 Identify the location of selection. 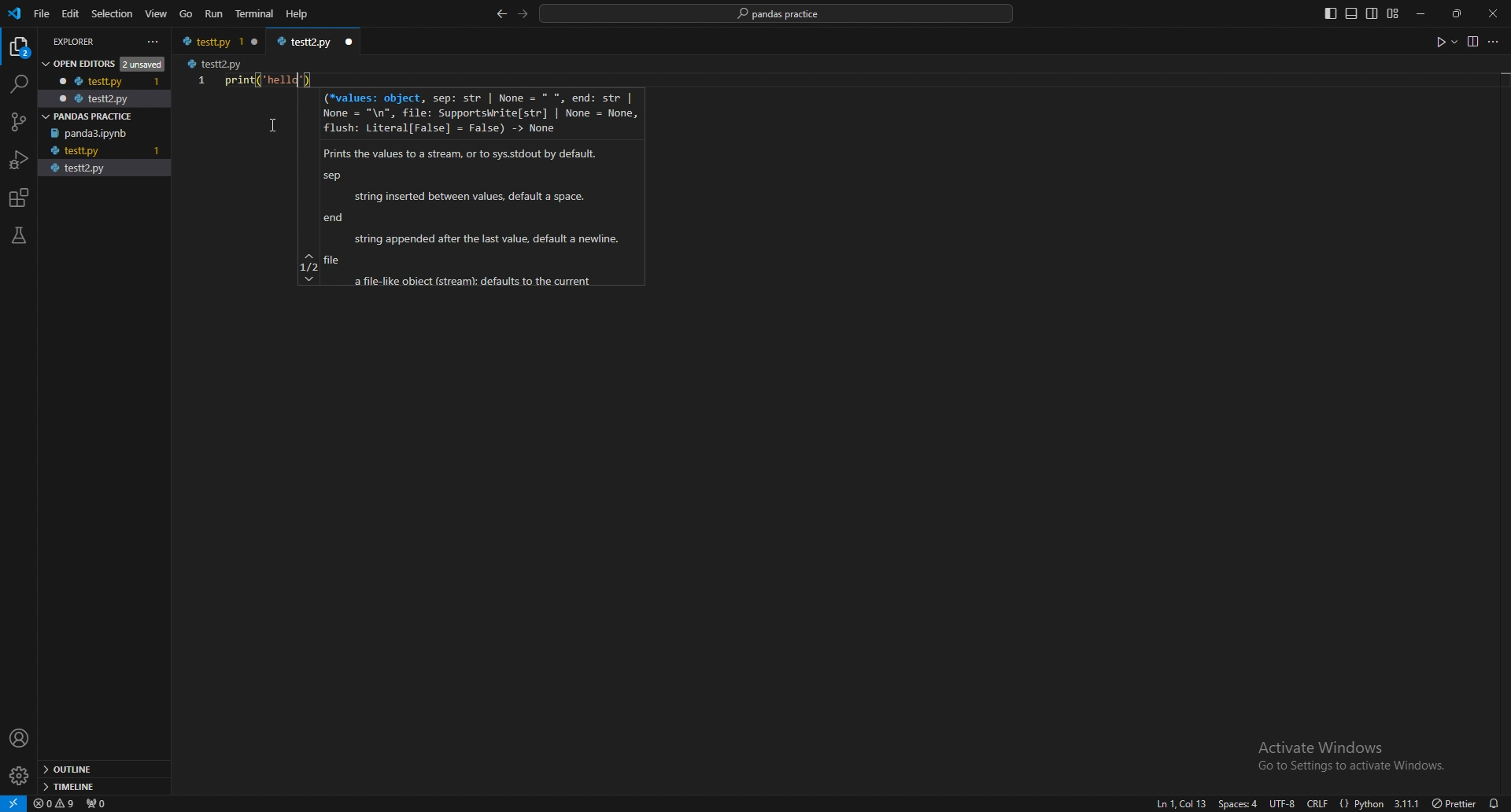
(113, 13).